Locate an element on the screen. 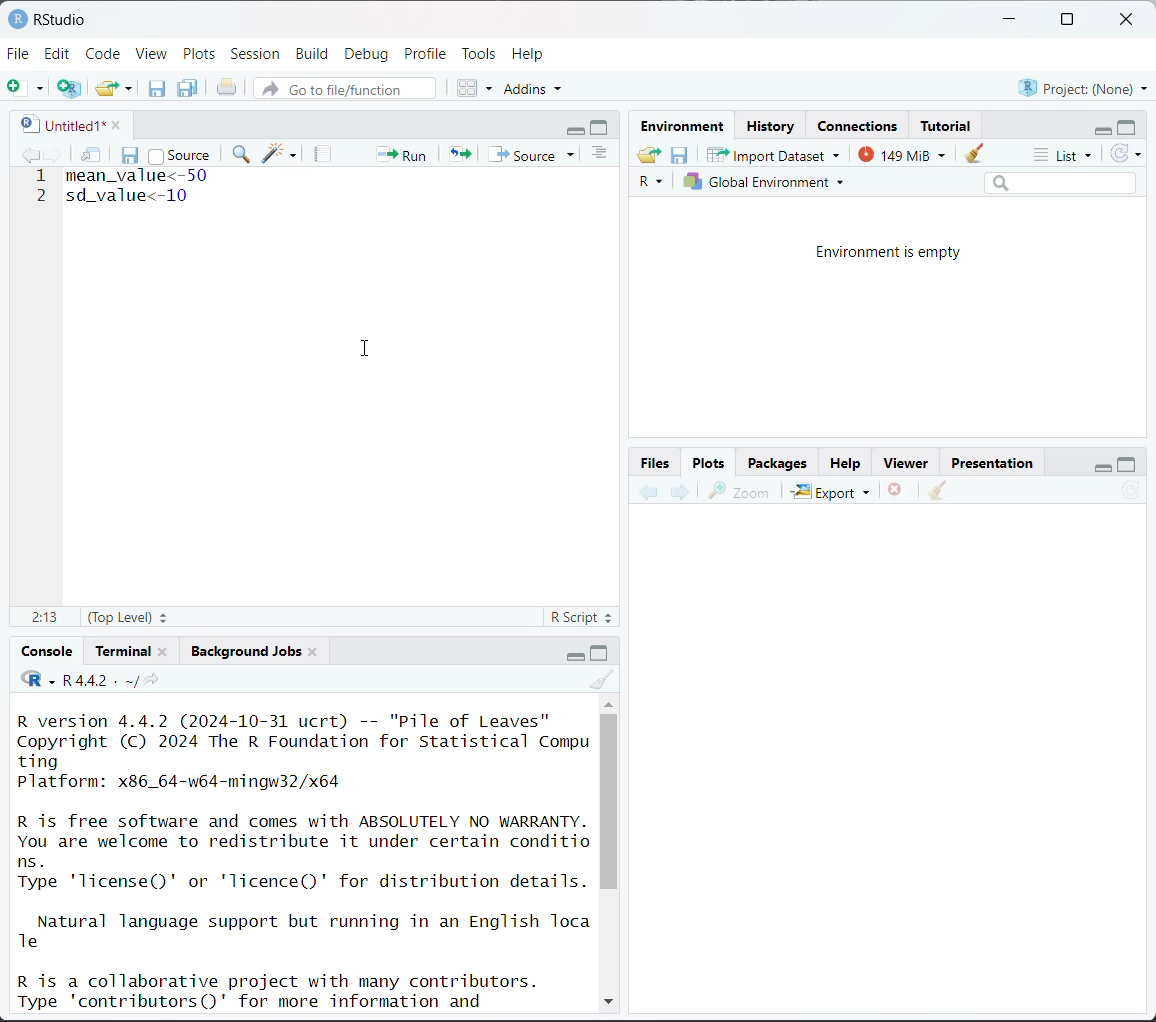 This screenshot has width=1156, height=1022. clear objects from workspace is located at coordinates (969, 150).